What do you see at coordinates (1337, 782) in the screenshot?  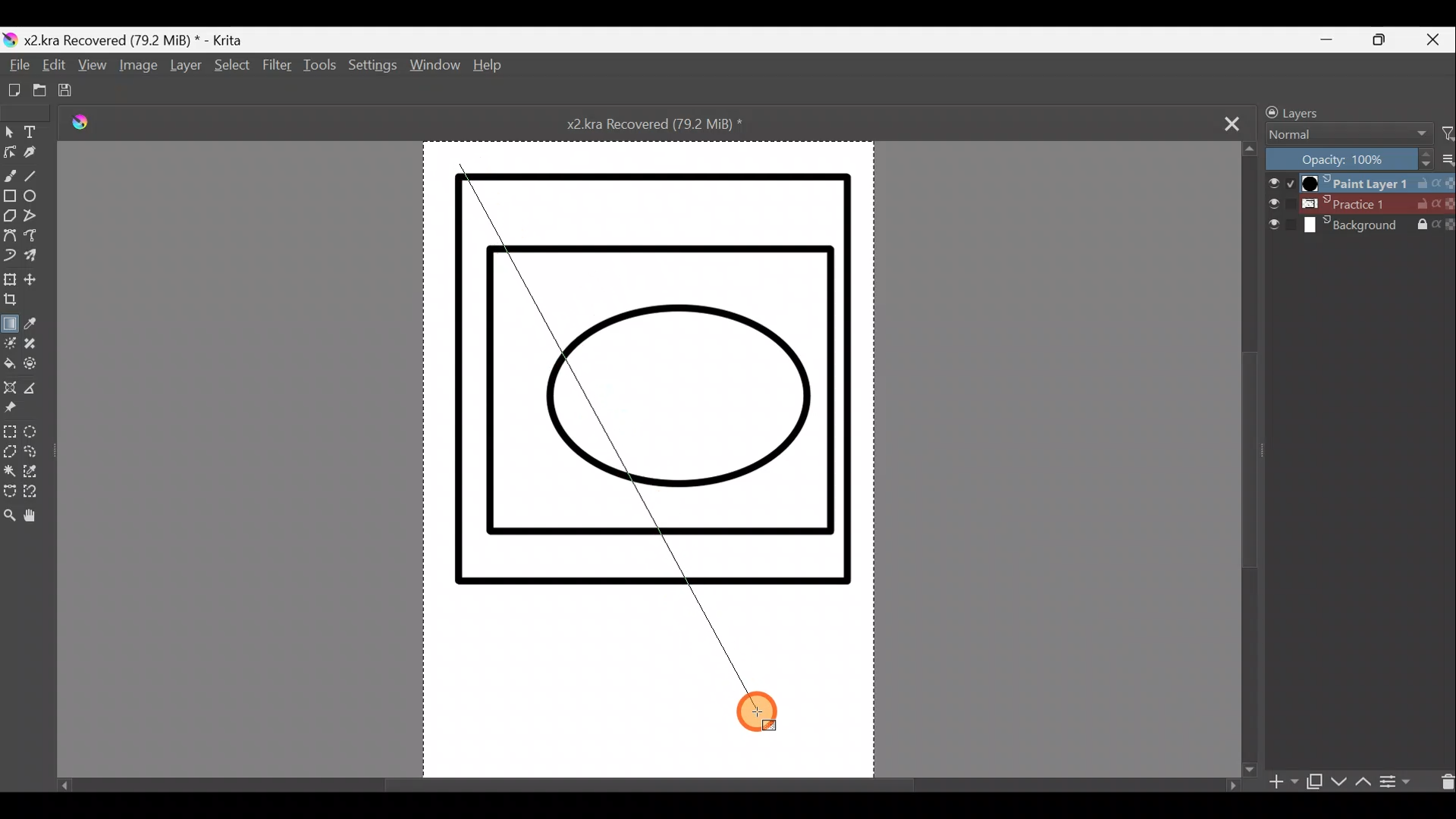 I see `Move layer/mask down` at bounding box center [1337, 782].